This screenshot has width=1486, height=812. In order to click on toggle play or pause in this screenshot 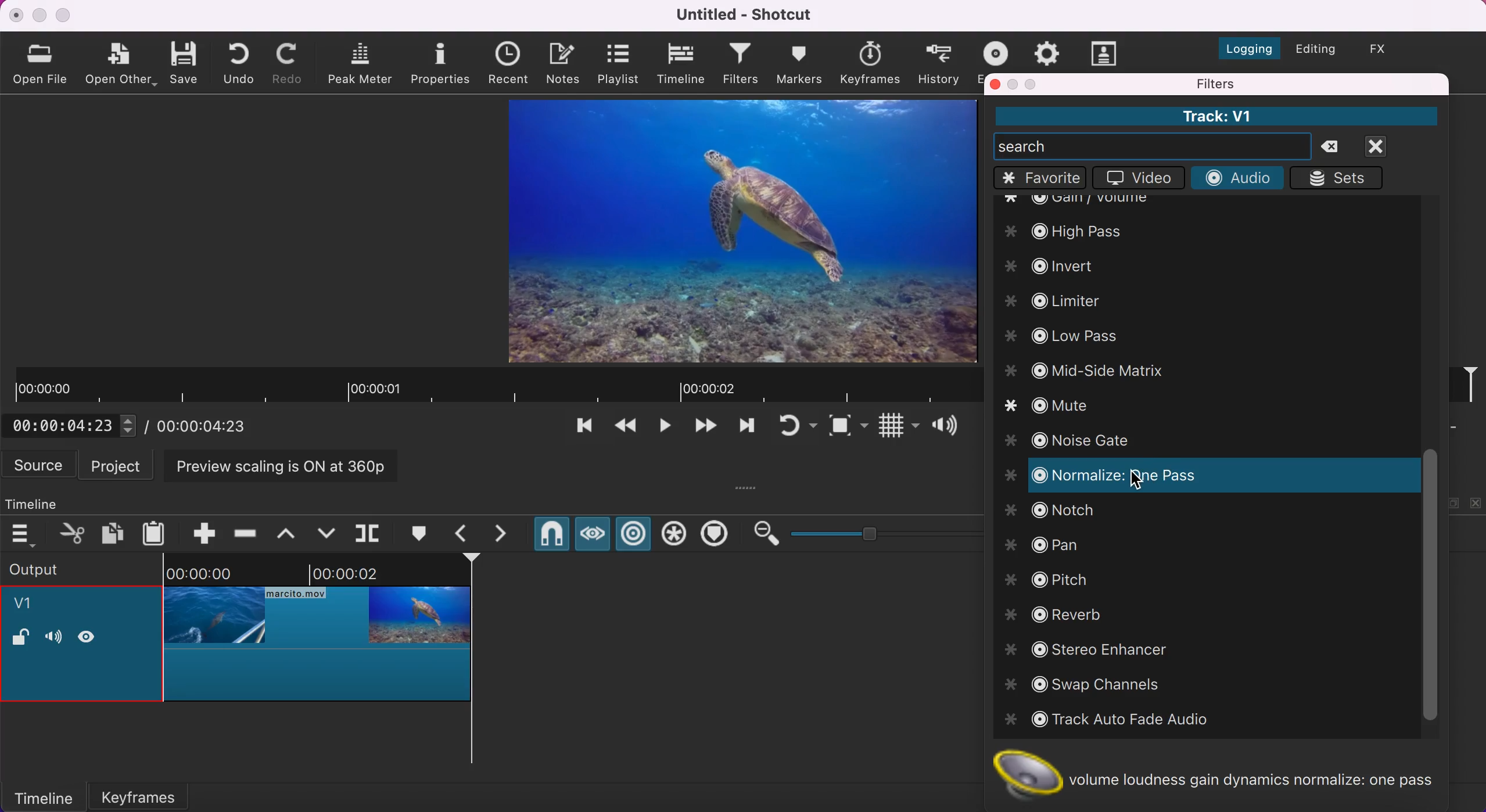, I will do `click(665, 429)`.